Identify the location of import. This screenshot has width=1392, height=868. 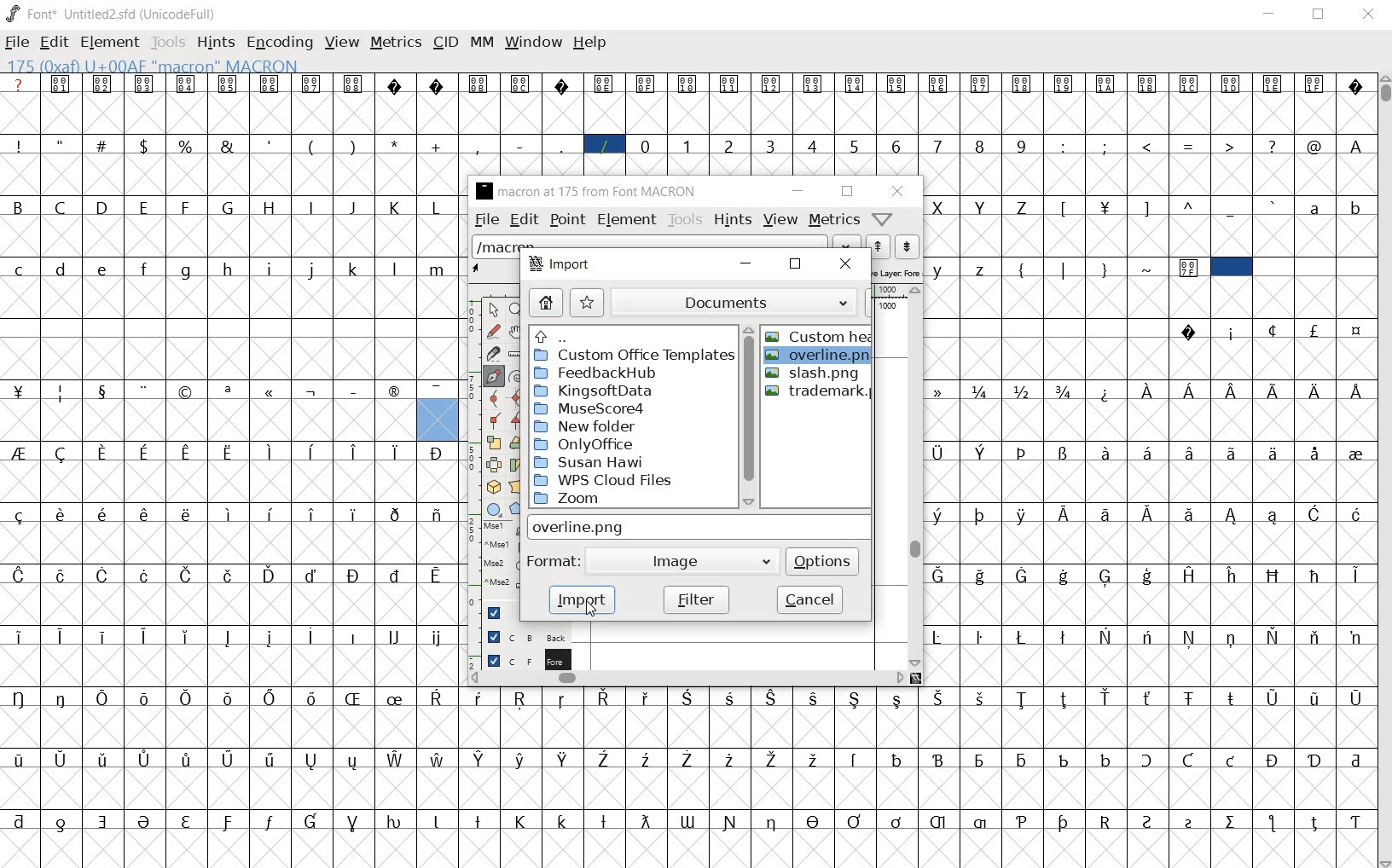
(565, 264).